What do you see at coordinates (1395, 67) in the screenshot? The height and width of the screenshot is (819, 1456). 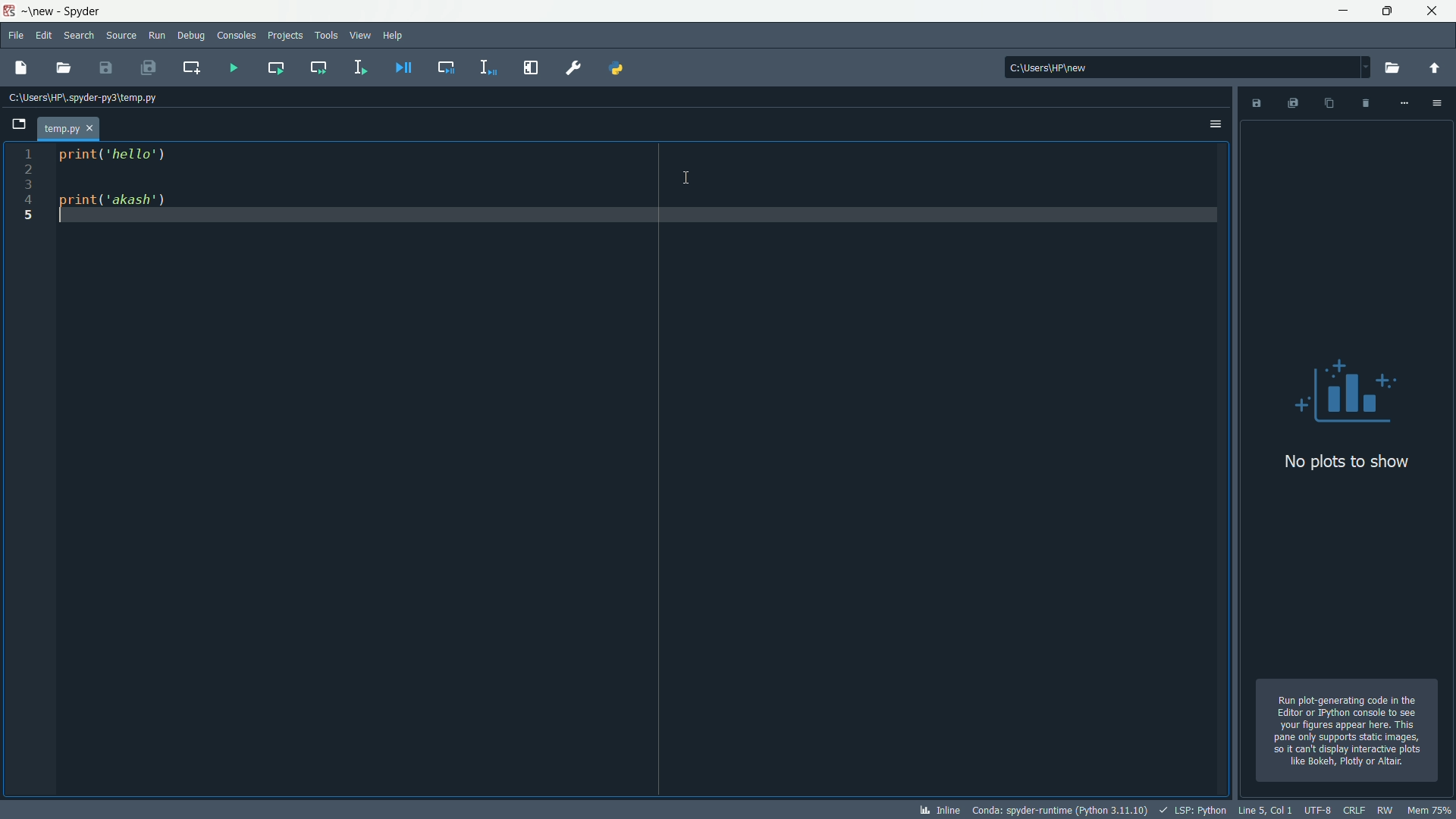 I see `browse a working directory` at bounding box center [1395, 67].